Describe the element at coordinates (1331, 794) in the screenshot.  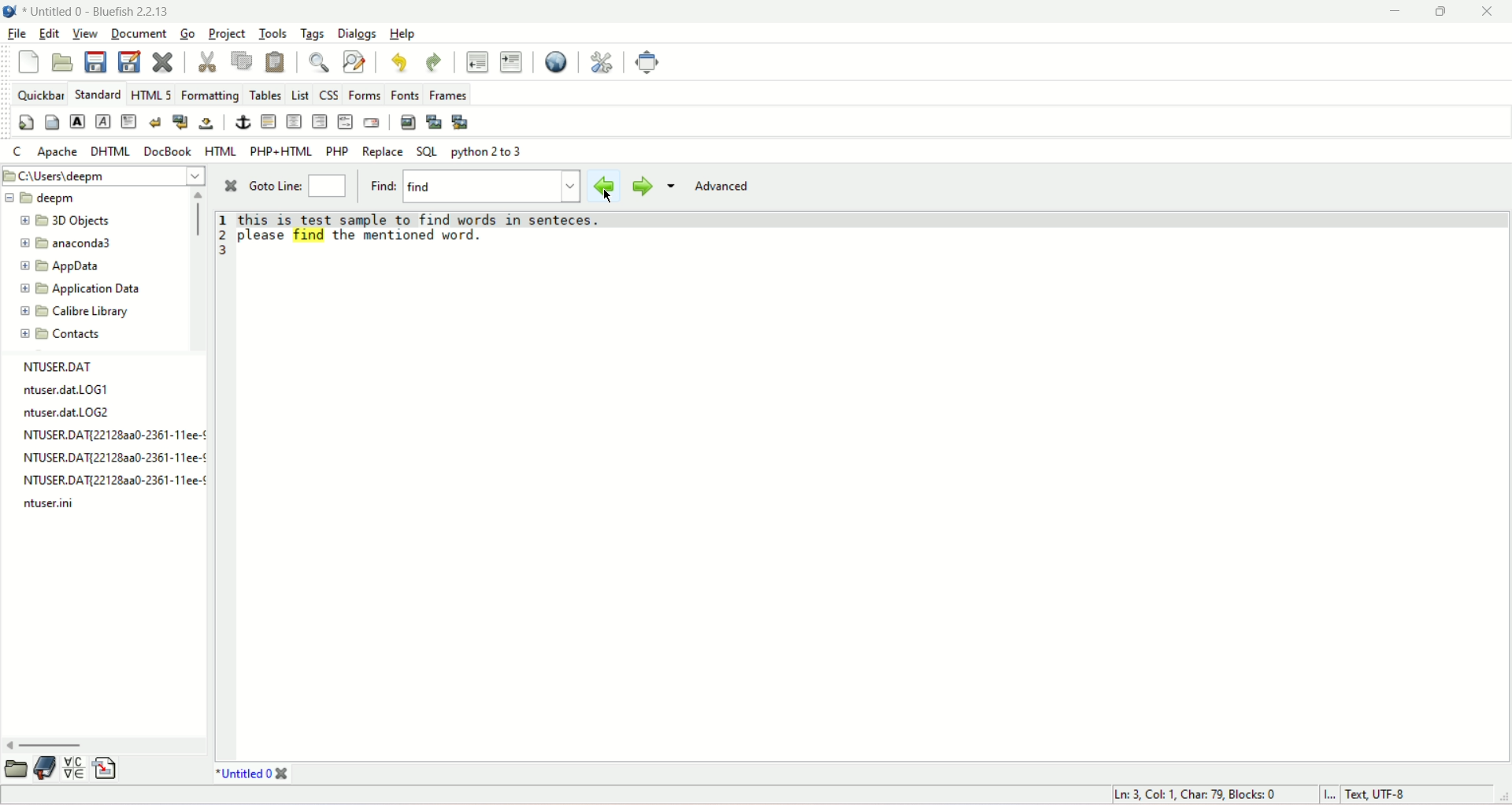
I see `Insert mode` at that location.